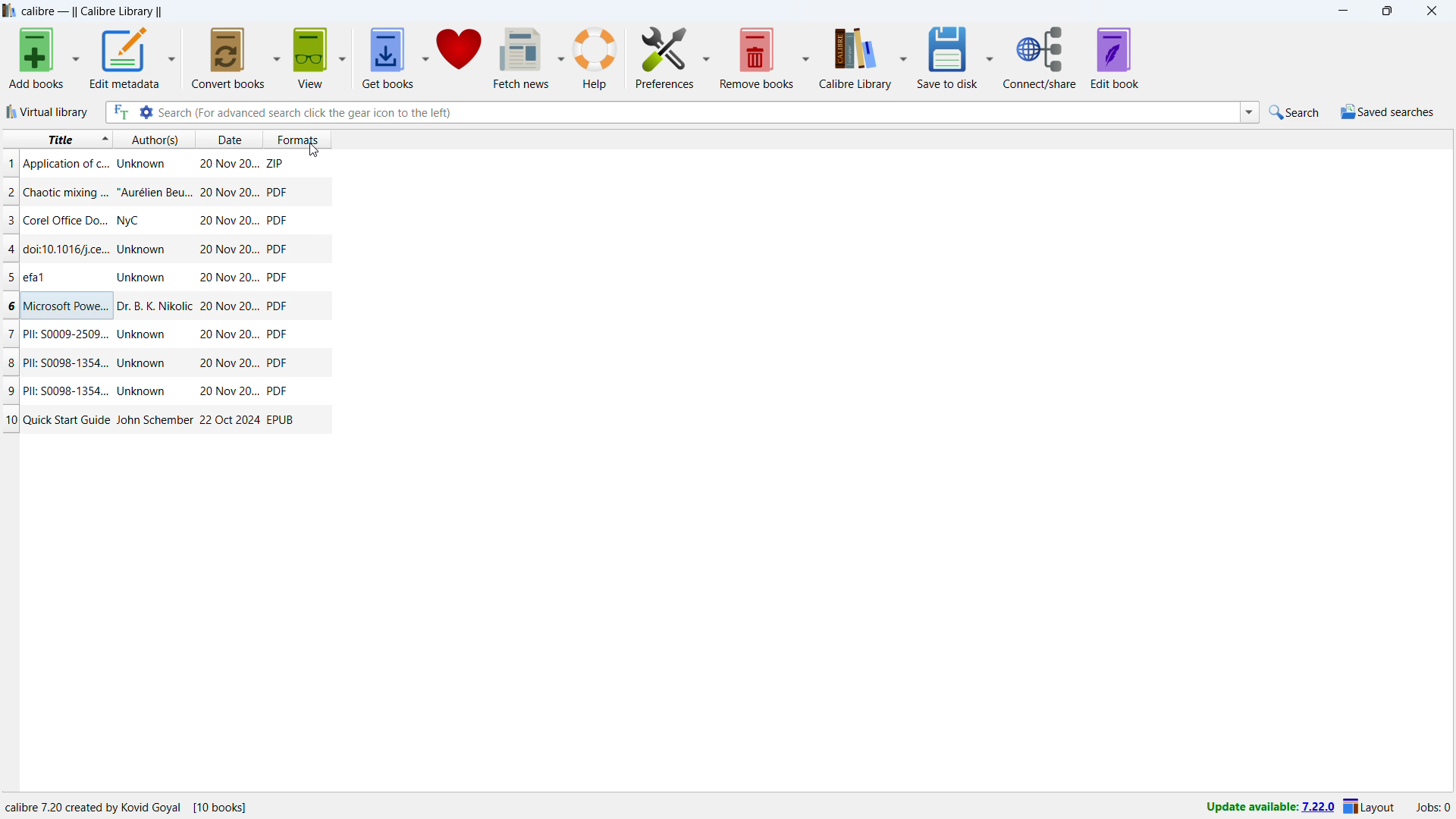 Image resolution: width=1456 pixels, height=819 pixels. I want to click on convert books, so click(228, 58).